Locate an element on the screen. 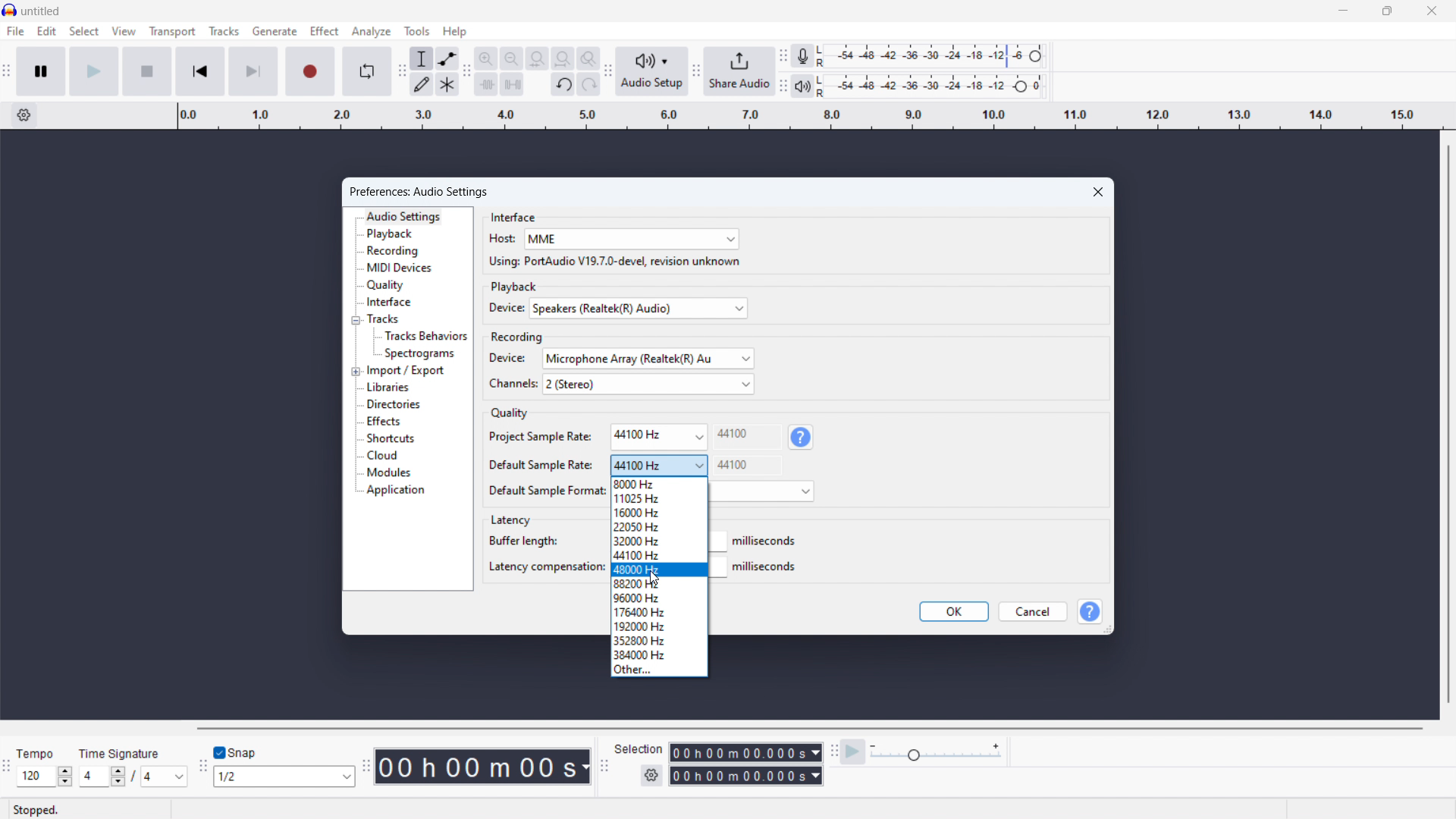  interface host is located at coordinates (631, 239).